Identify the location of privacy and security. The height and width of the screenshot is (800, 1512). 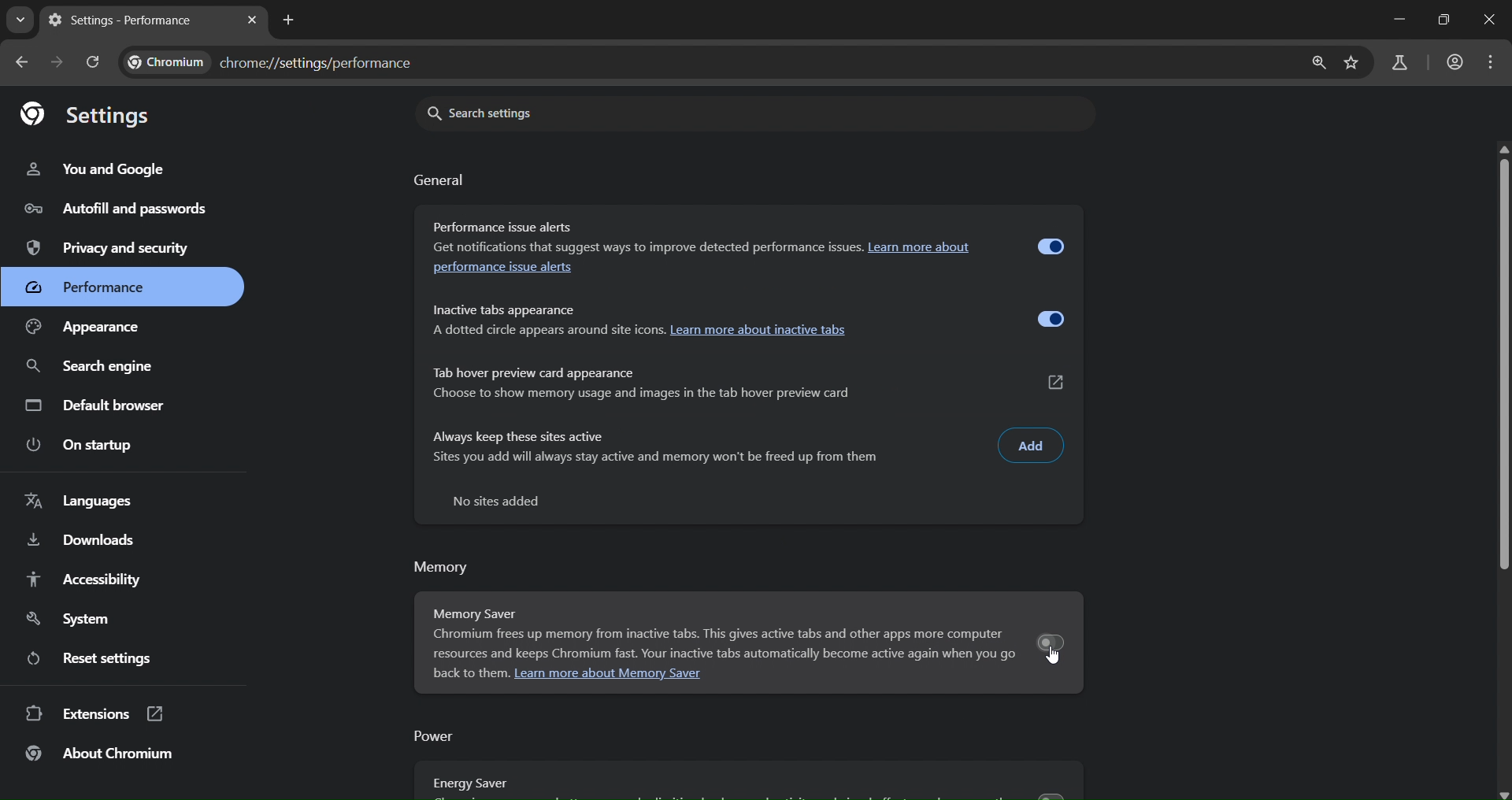
(109, 247).